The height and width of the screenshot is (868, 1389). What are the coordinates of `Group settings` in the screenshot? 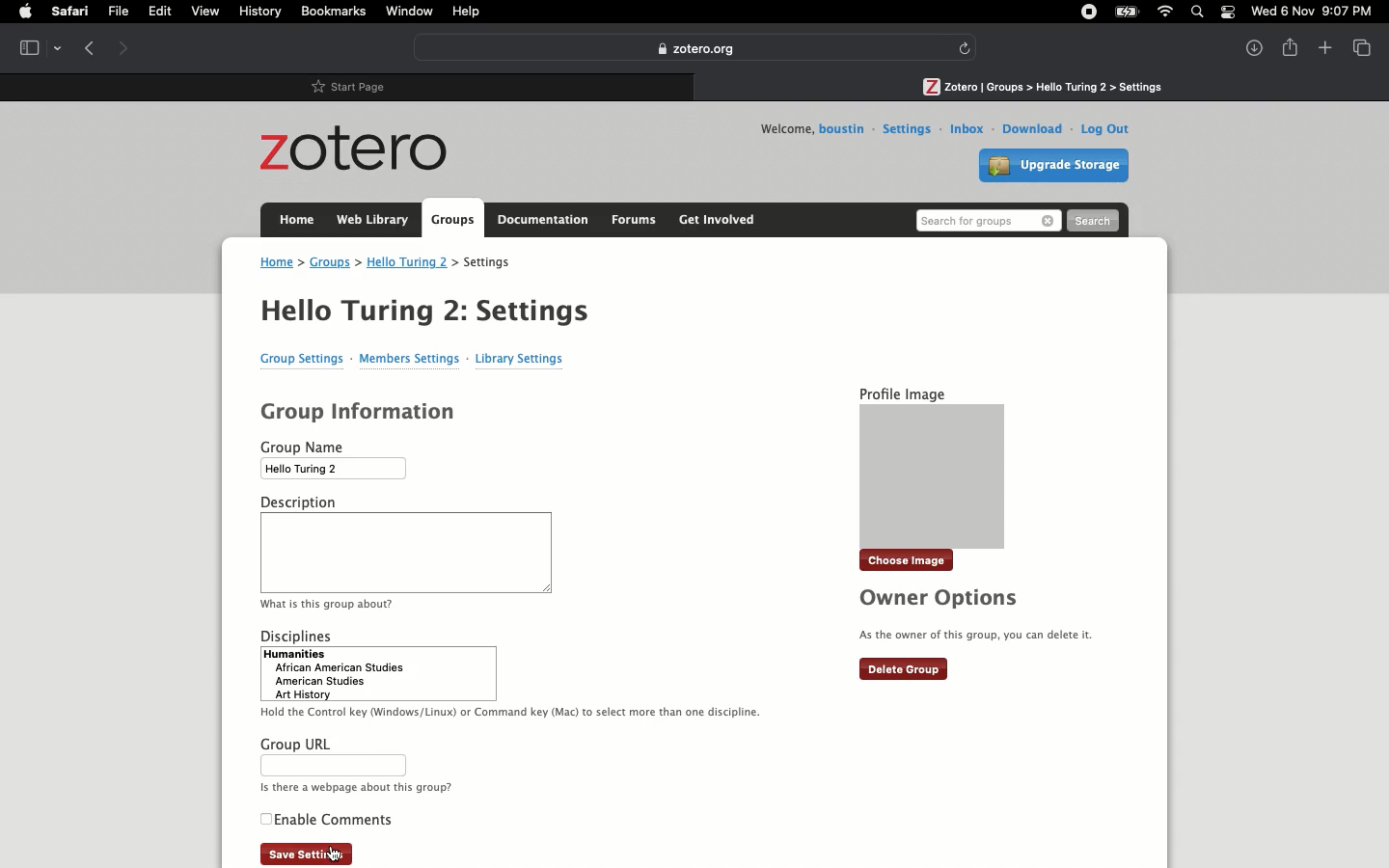 It's located at (299, 360).